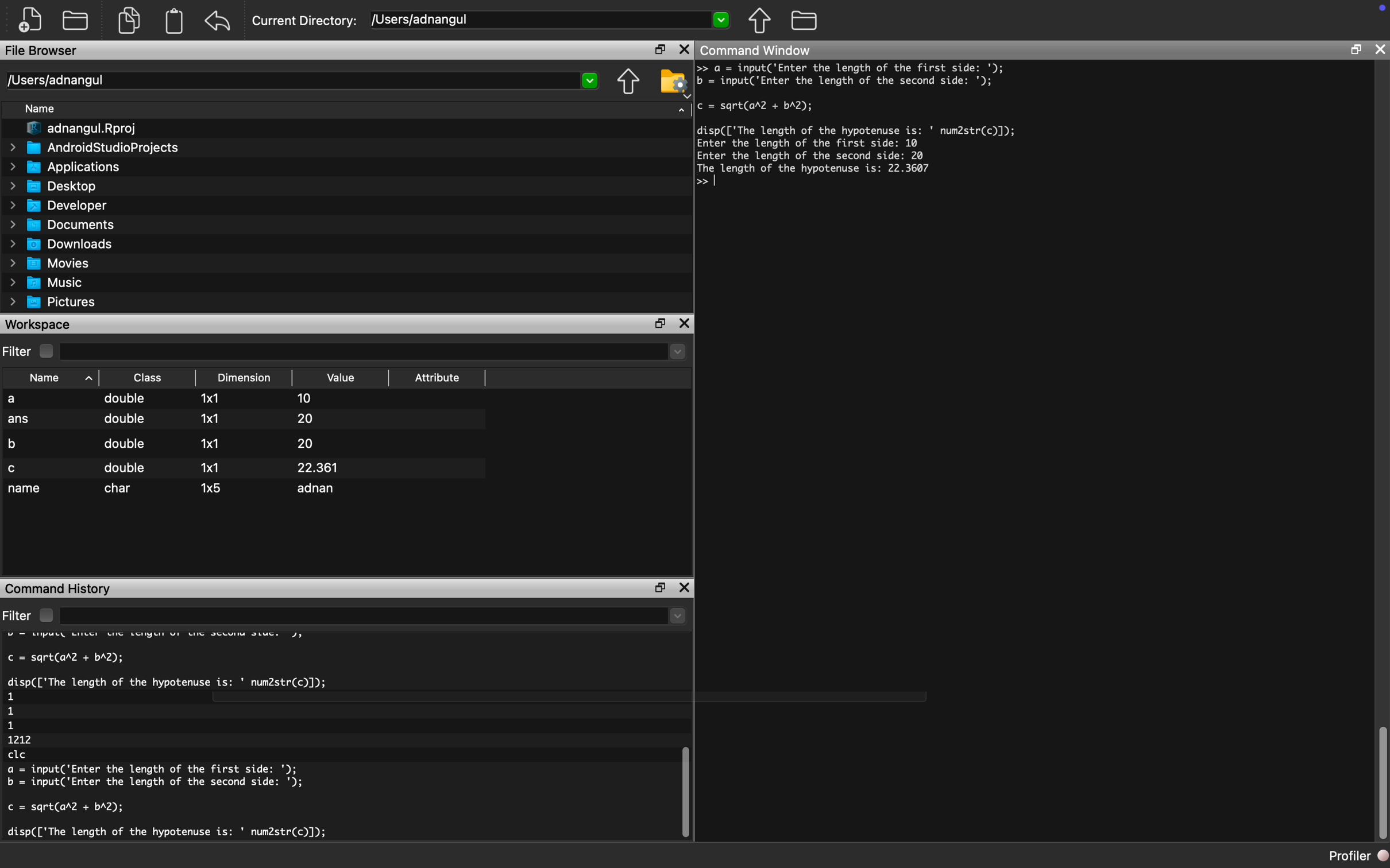  Describe the element at coordinates (375, 352) in the screenshot. I see `dropdown` at that location.